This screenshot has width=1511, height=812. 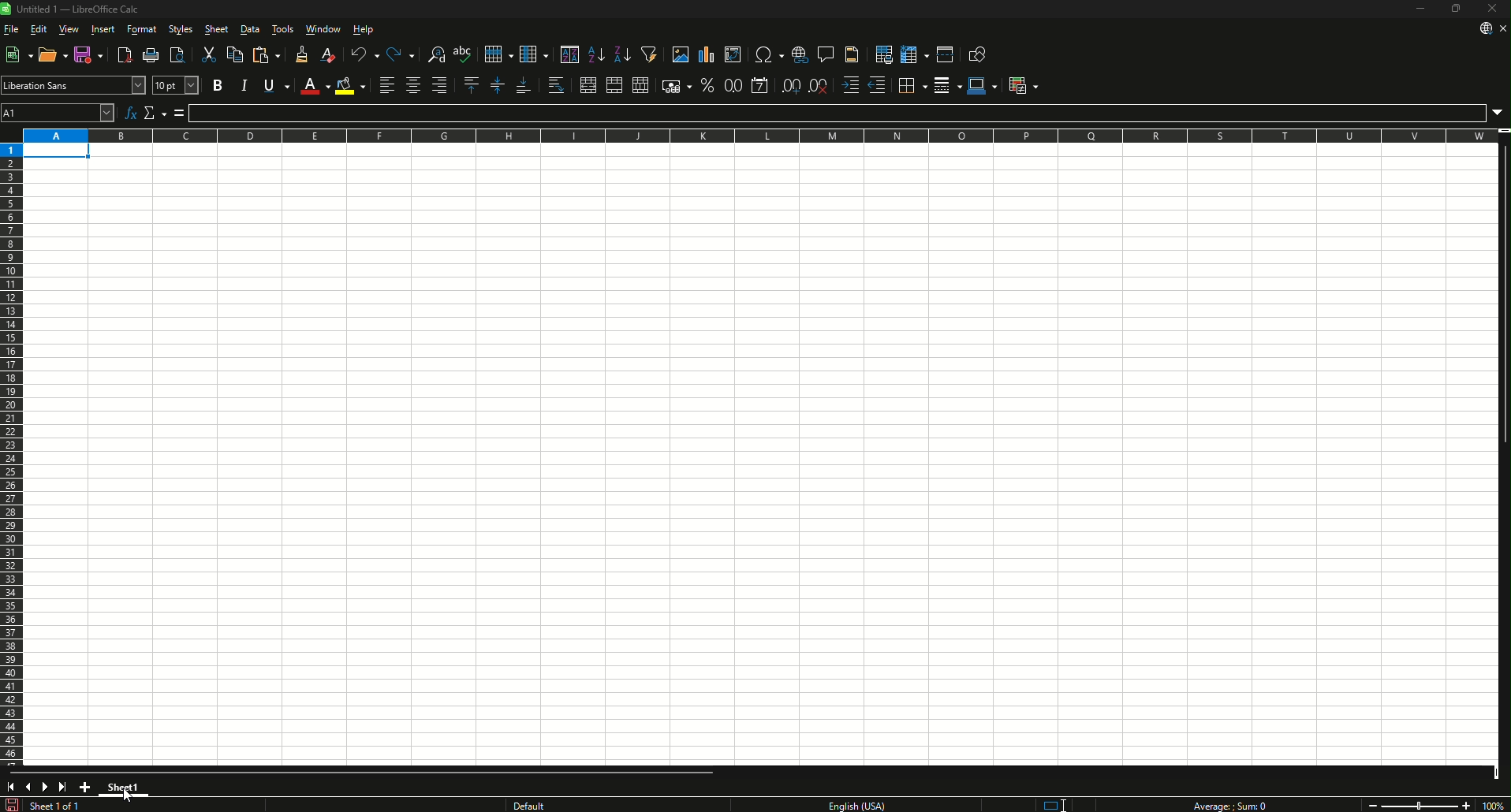 I want to click on Tools, so click(x=283, y=28).